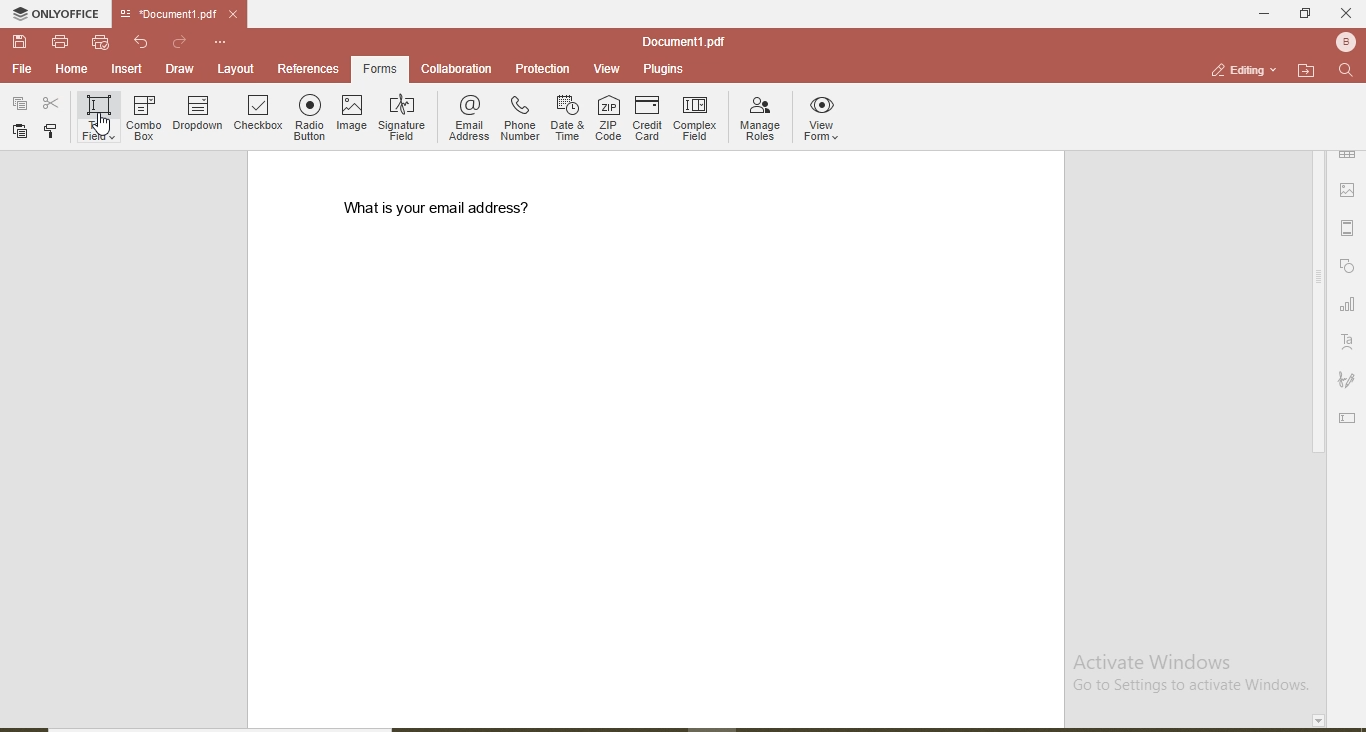  Describe the element at coordinates (235, 726) in the screenshot. I see `horizontal scroll bar` at that location.